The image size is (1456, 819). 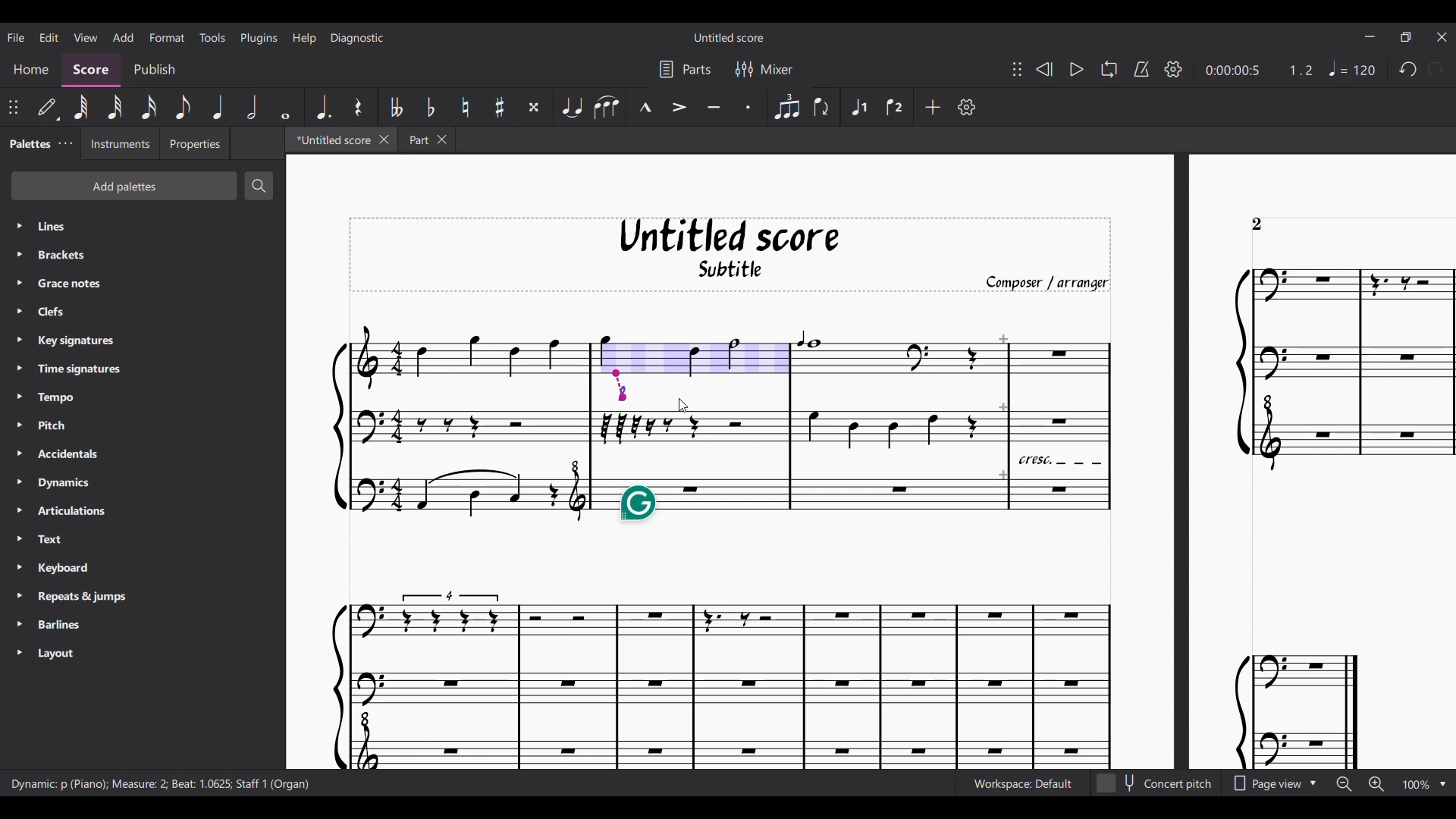 I want to click on Grammarly extension, so click(x=638, y=504).